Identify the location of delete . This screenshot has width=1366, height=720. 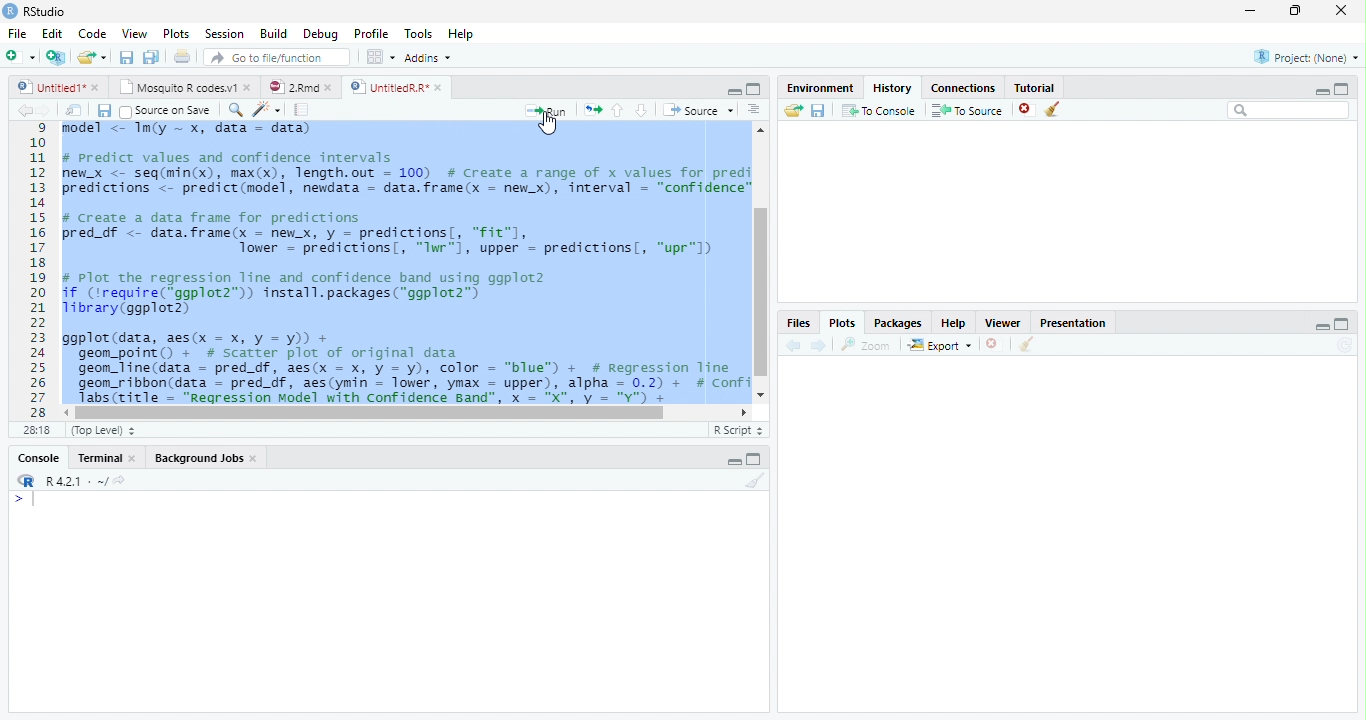
(1024, 108).